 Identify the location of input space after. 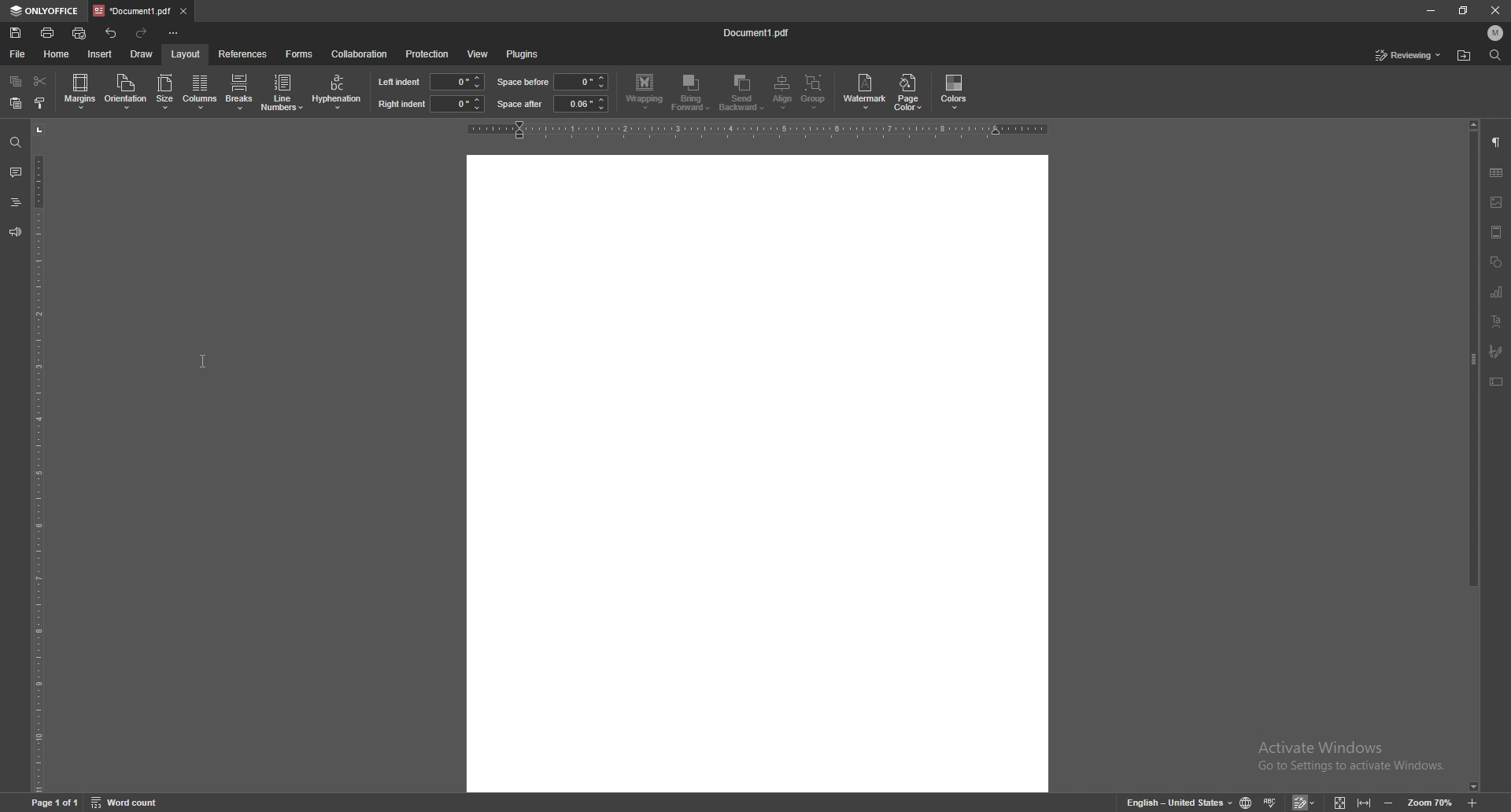
(581, 104).